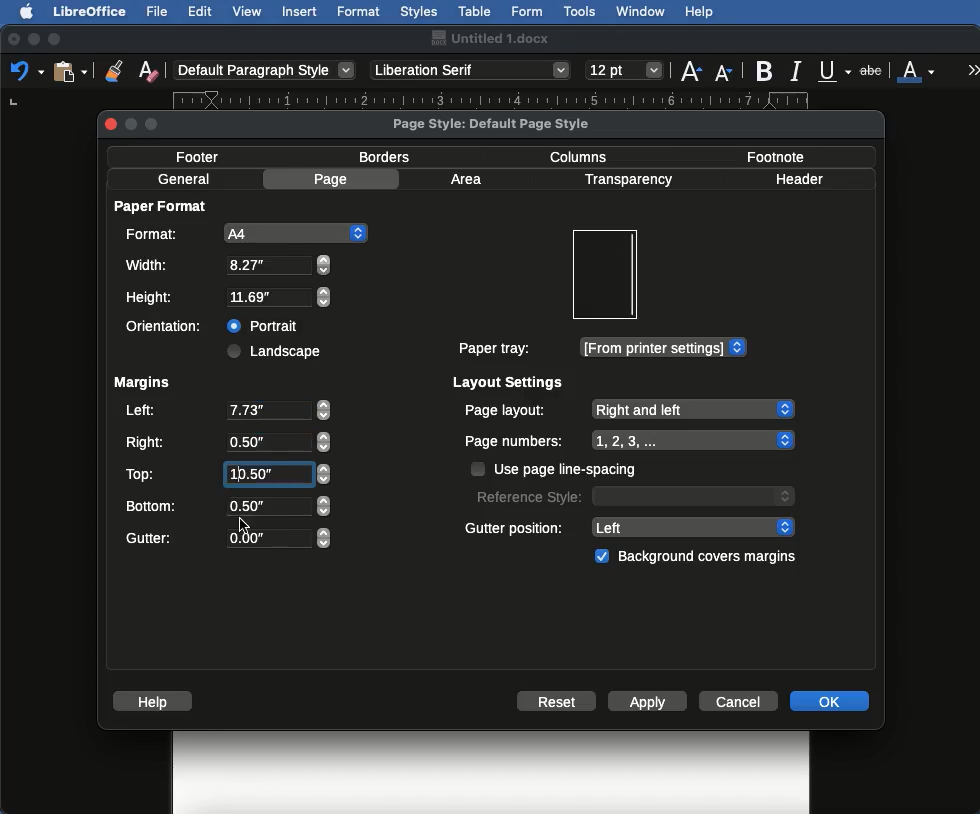  What do you see at coordinates (184, 179) in the screenshot?
I see `General` at bounding box center [184, 179].